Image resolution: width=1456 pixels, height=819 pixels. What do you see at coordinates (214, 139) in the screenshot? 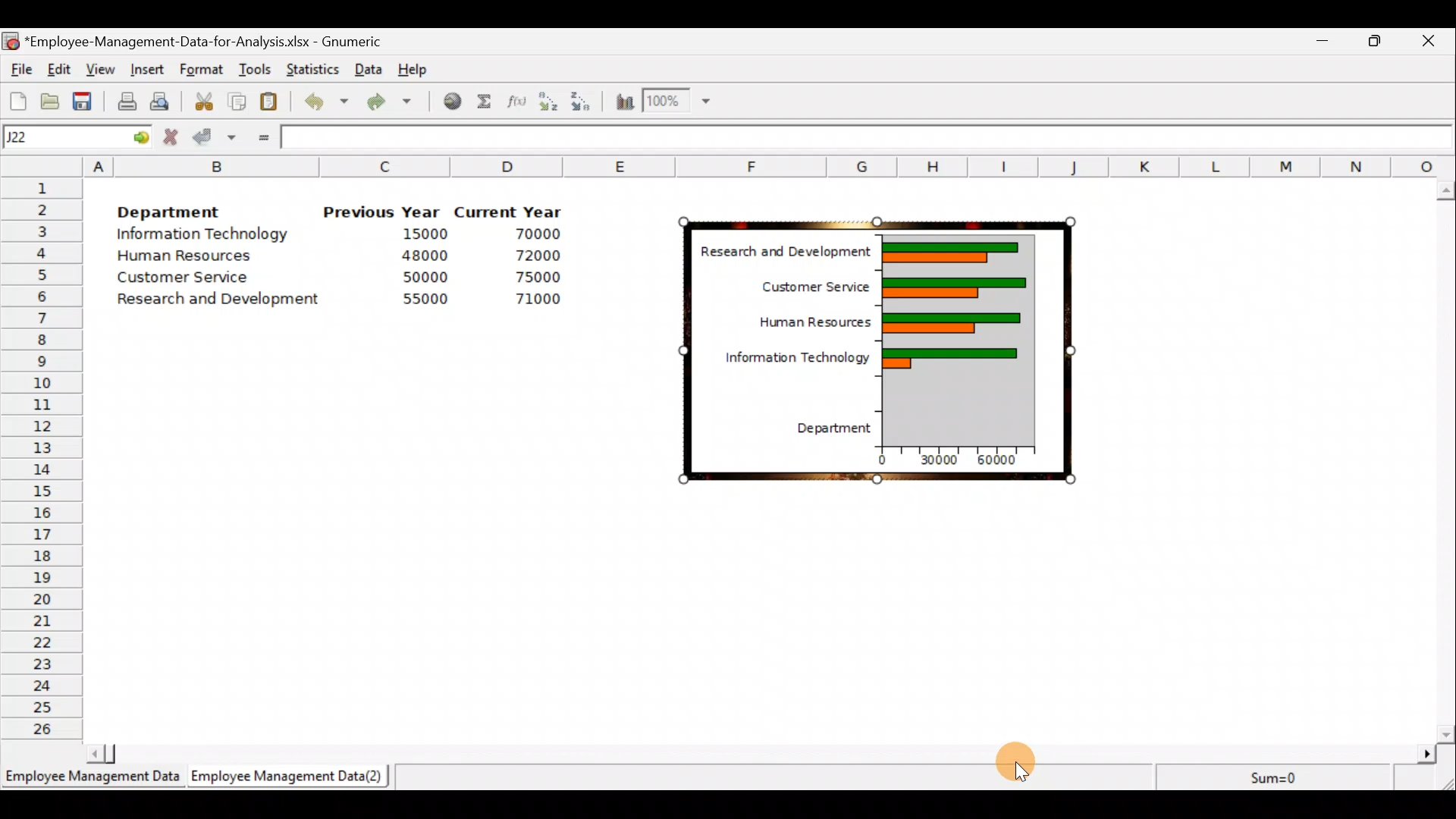
I see `Accept change` at bounding box center [214, 139].